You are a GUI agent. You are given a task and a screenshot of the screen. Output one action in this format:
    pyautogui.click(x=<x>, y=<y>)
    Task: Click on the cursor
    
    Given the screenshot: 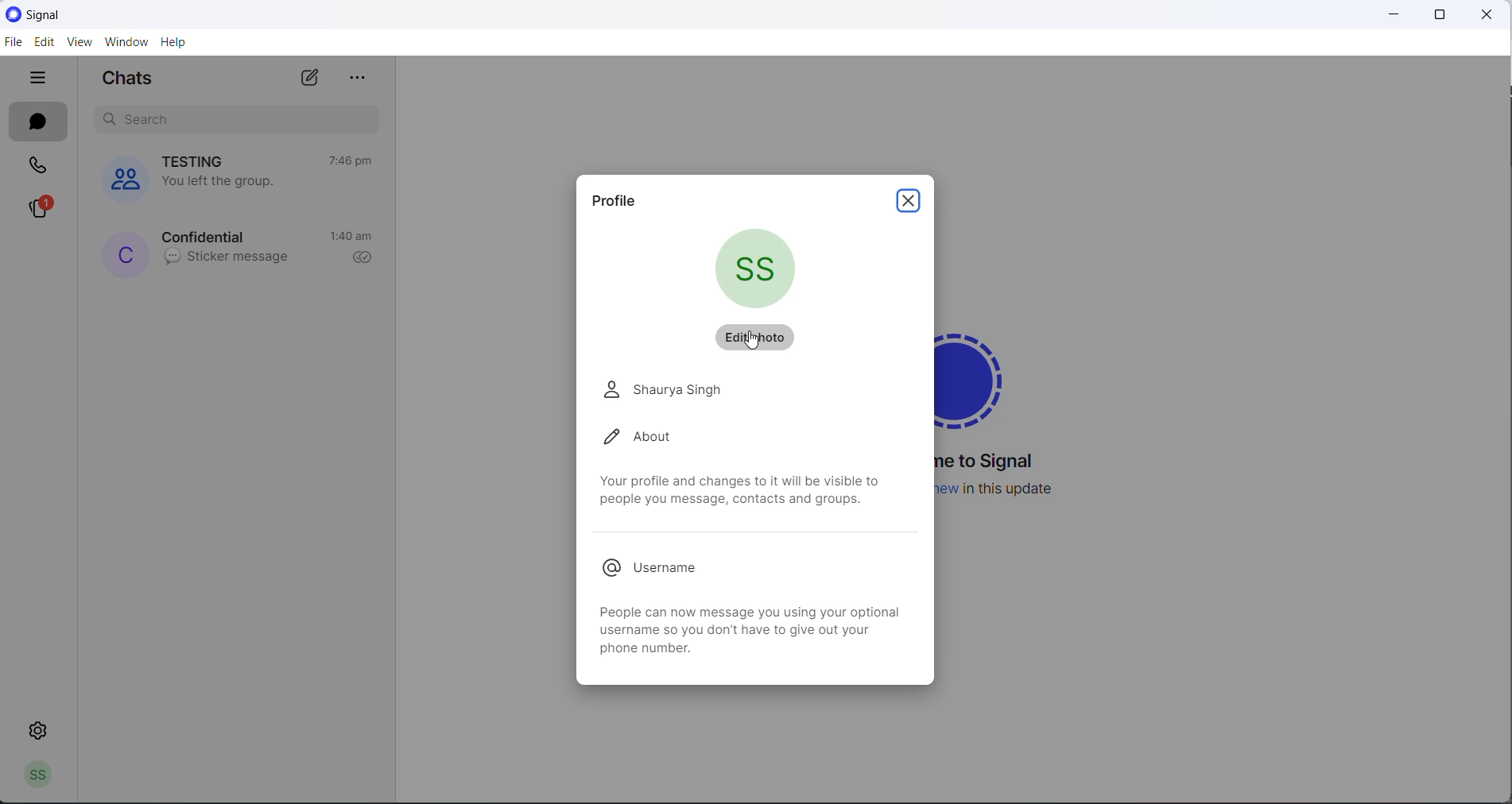 What is the action you would take?
    pyautogui.click(x=754, y=345)
    